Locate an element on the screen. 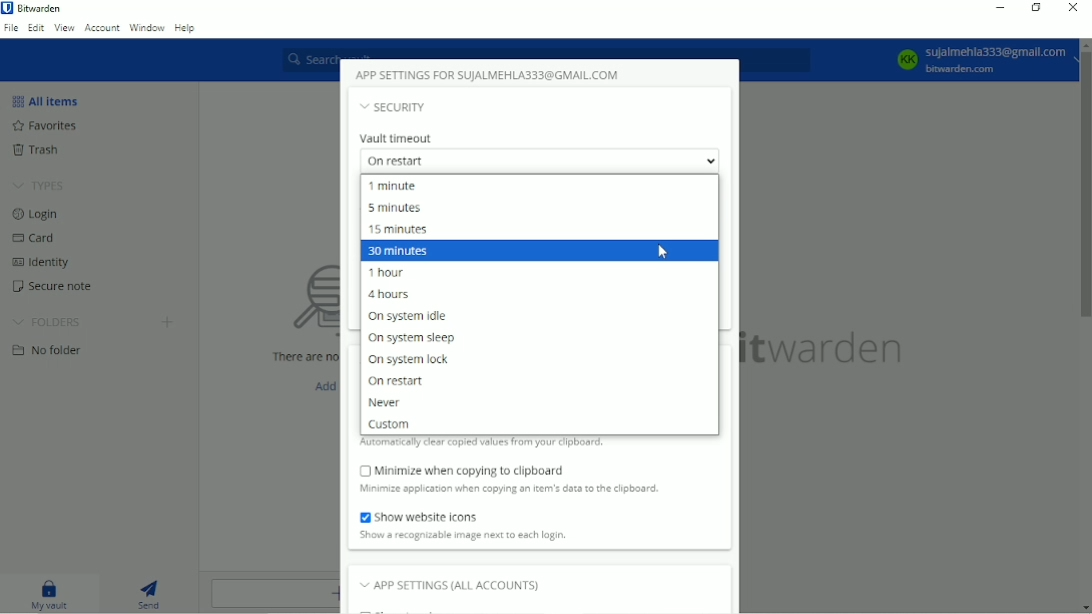 This screenshot has height=614, width=1092. Minimize is located at coordinates (1000, 8).